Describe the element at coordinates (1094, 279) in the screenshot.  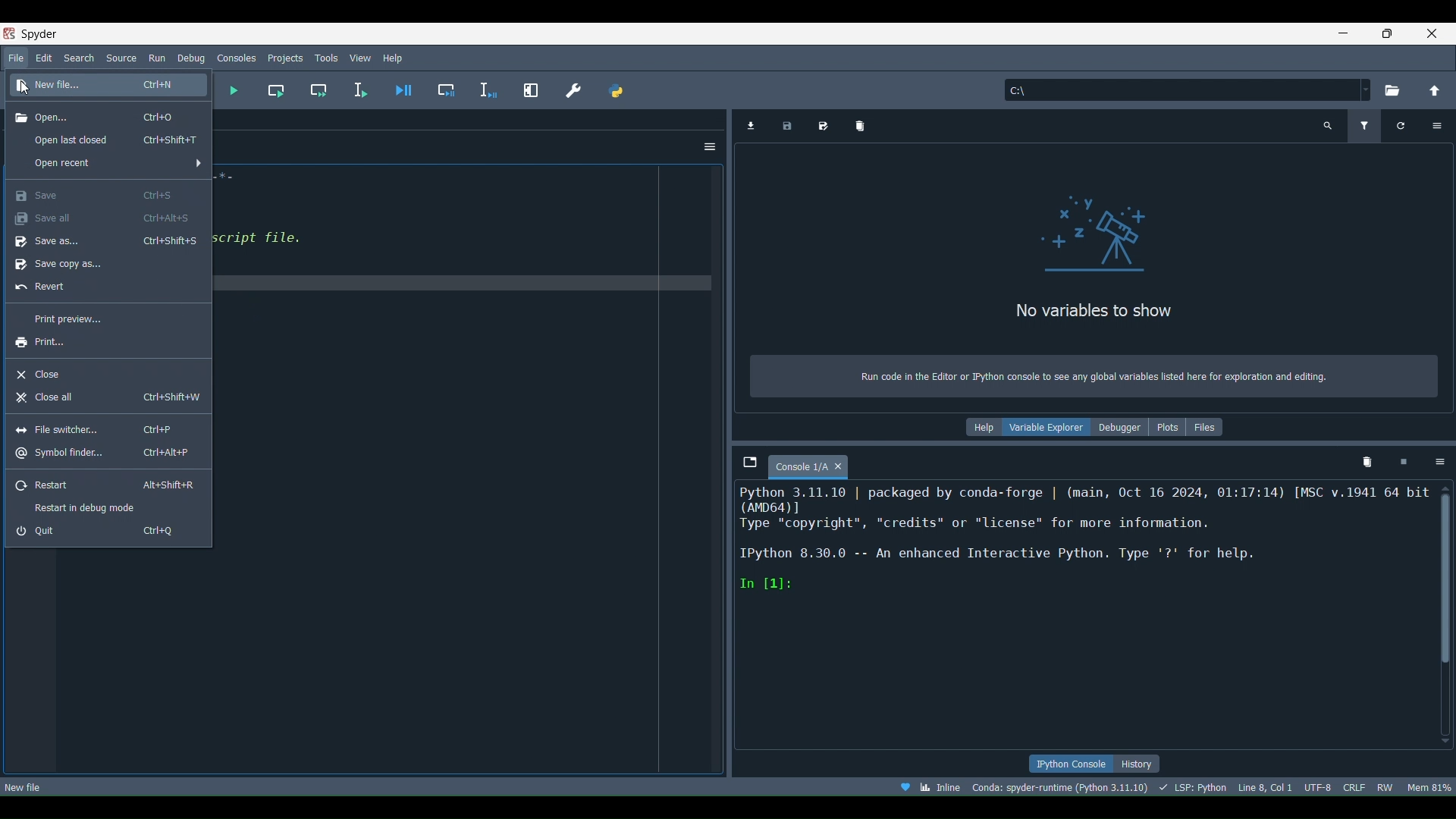
I see `Text` at that location.